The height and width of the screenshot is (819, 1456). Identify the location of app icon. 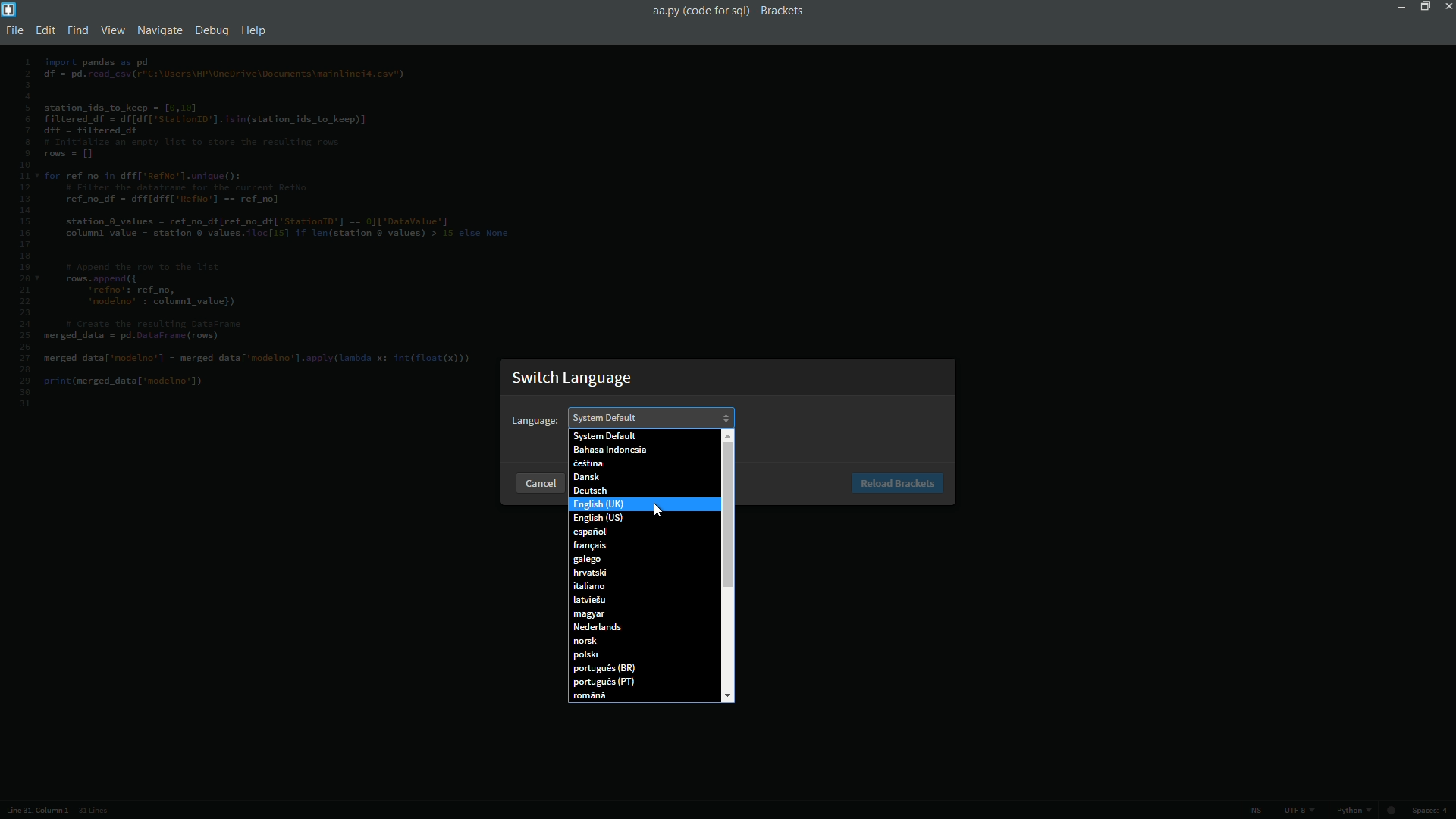
(9, 9).